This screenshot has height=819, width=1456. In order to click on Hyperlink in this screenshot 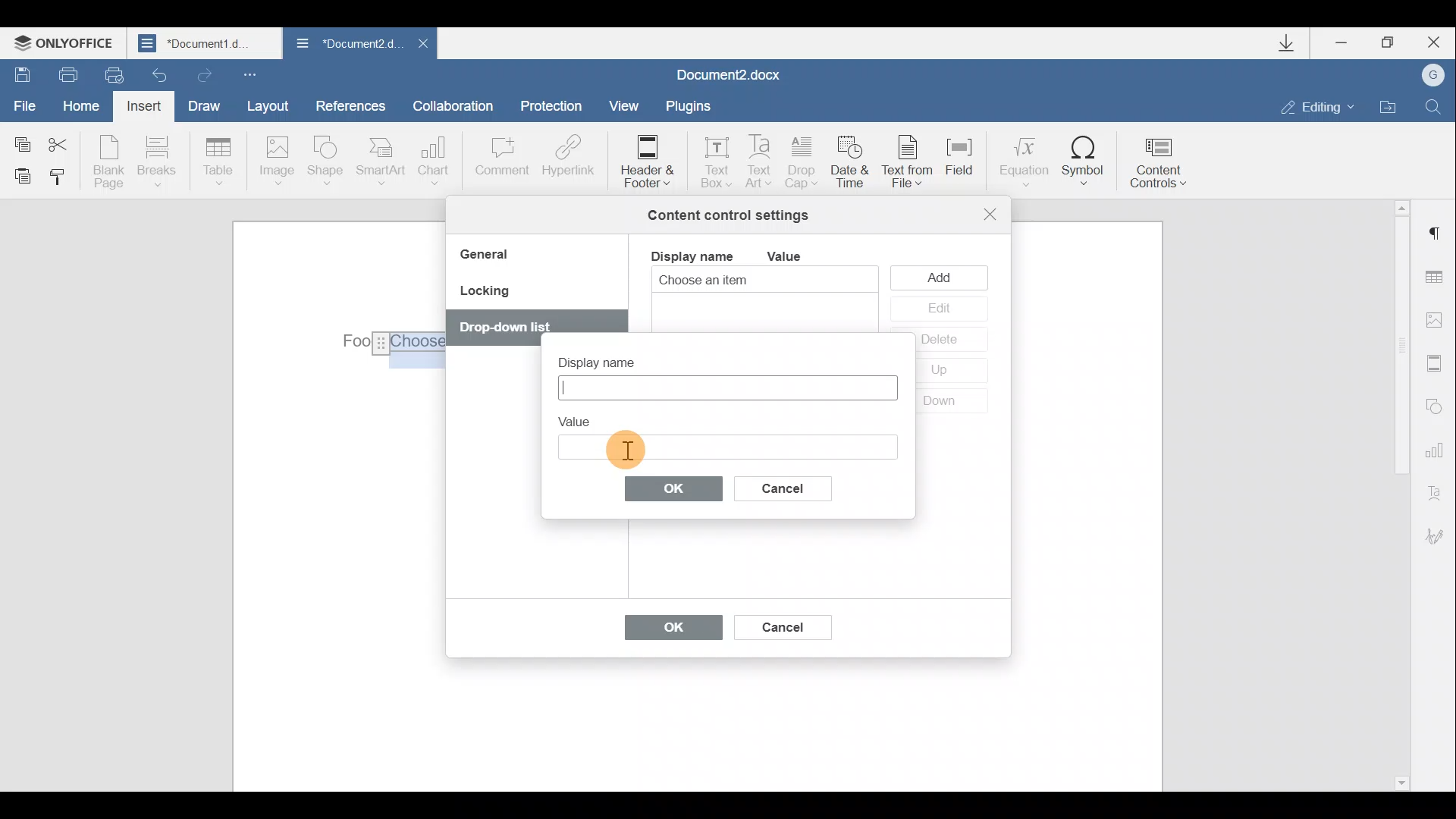, I will do `click(565, 158)`.